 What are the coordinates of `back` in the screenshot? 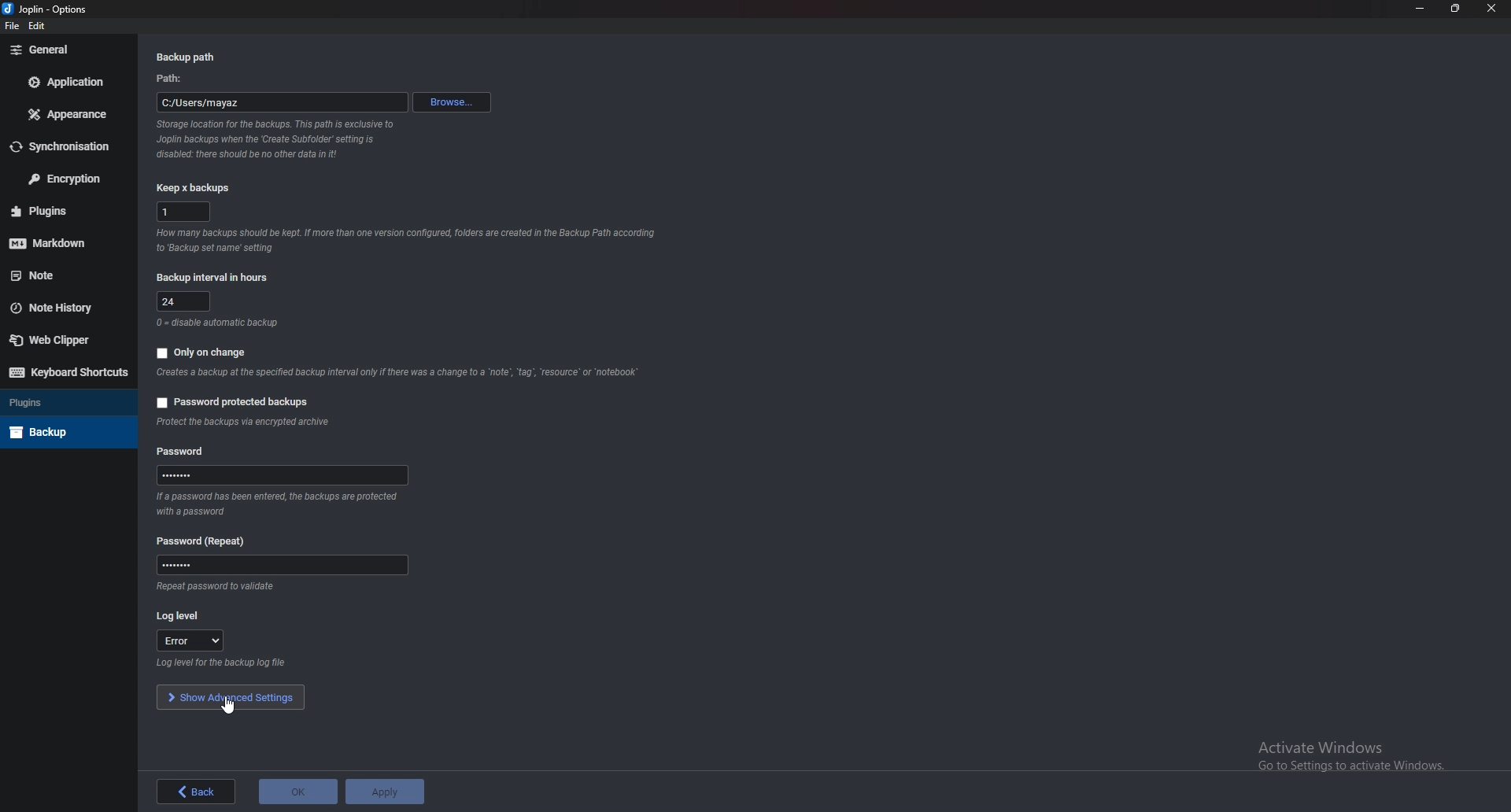 It's located at (196, 792).